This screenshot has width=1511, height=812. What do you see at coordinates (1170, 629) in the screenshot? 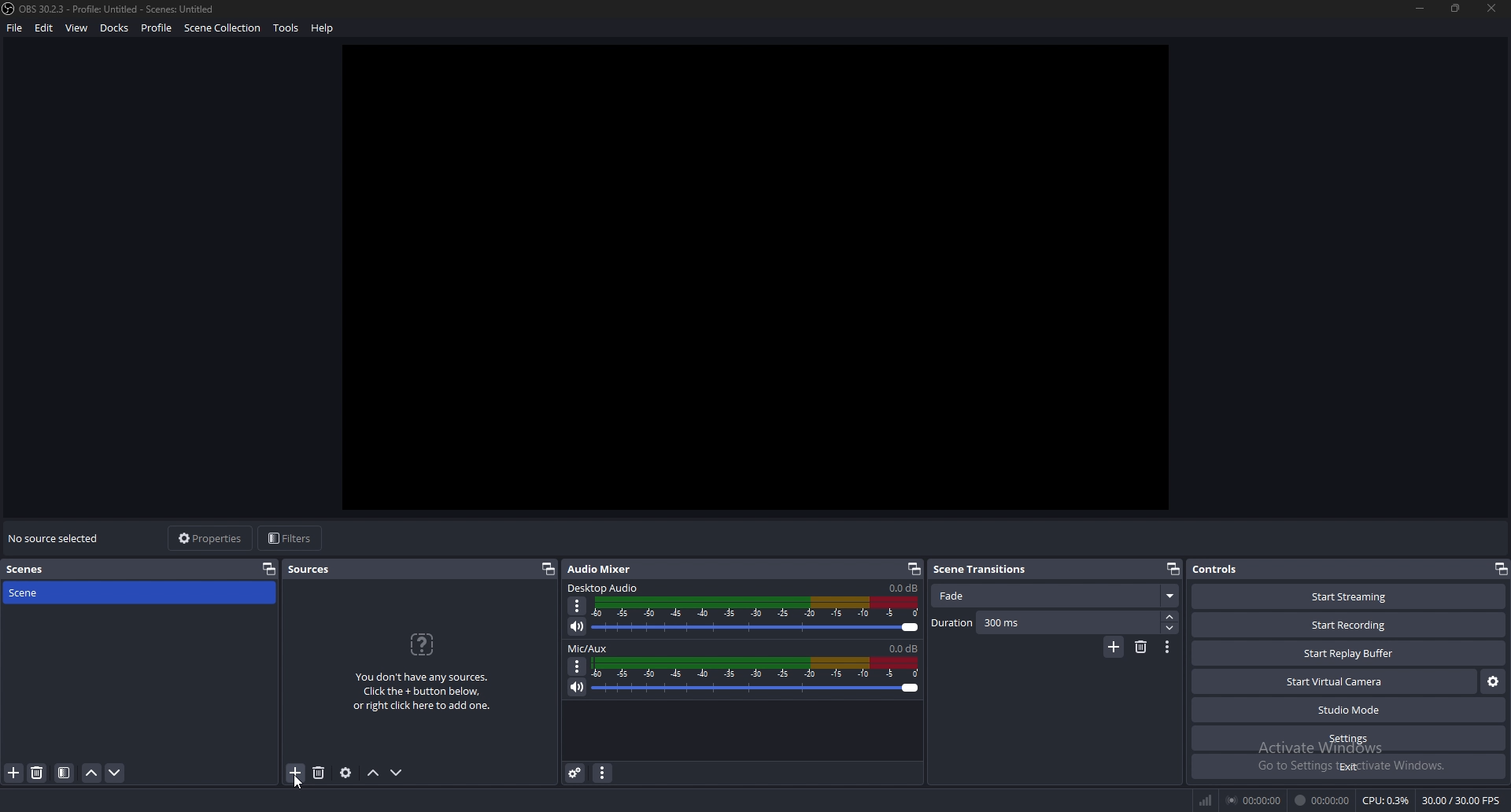
I see `decrease duration` at bounding box center [1170, 629].